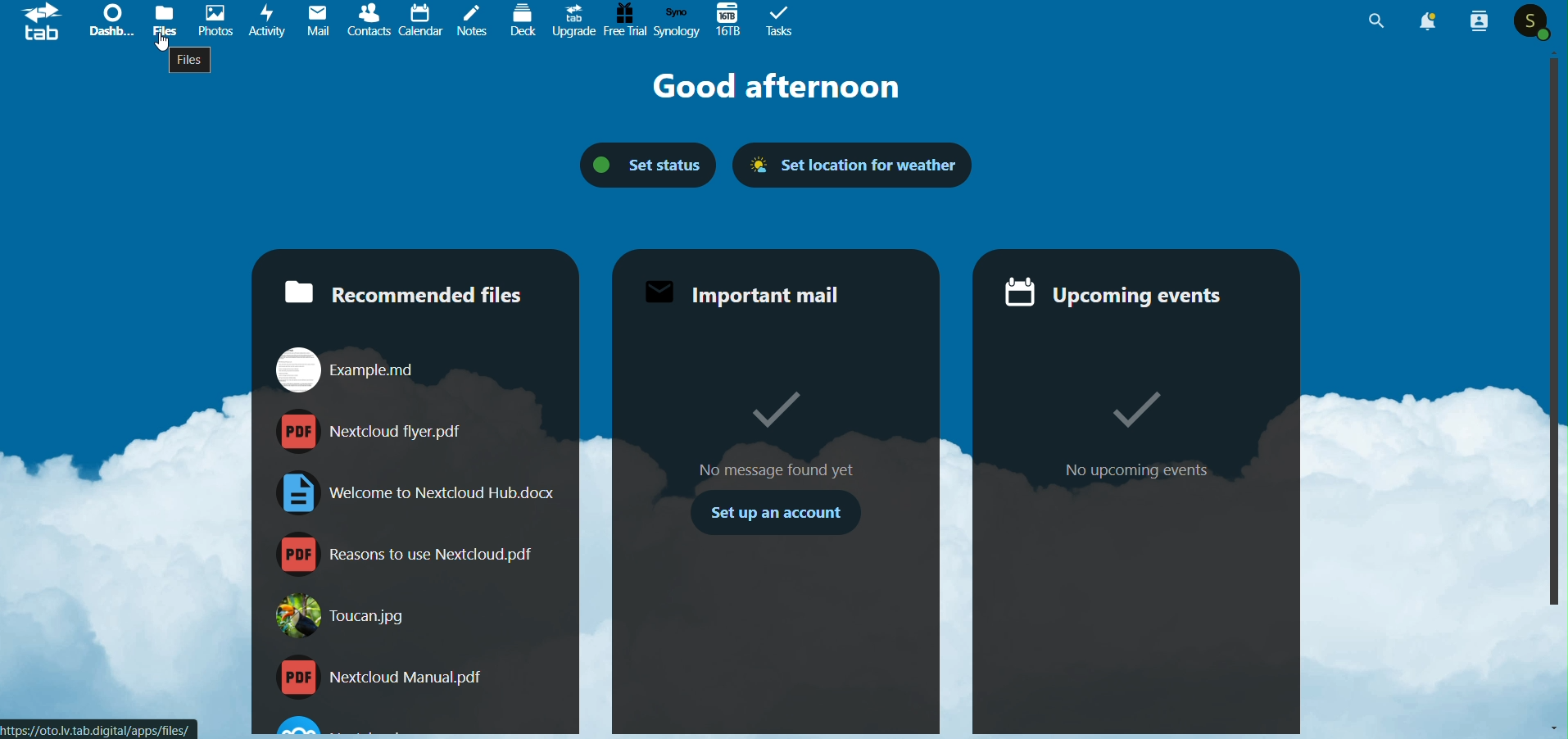 This screenshot has height=739, width=1568. What do you see at coordinates (1477, 21) in the screenshot?
I see `Contacts` at bounding box center [1477, 21].